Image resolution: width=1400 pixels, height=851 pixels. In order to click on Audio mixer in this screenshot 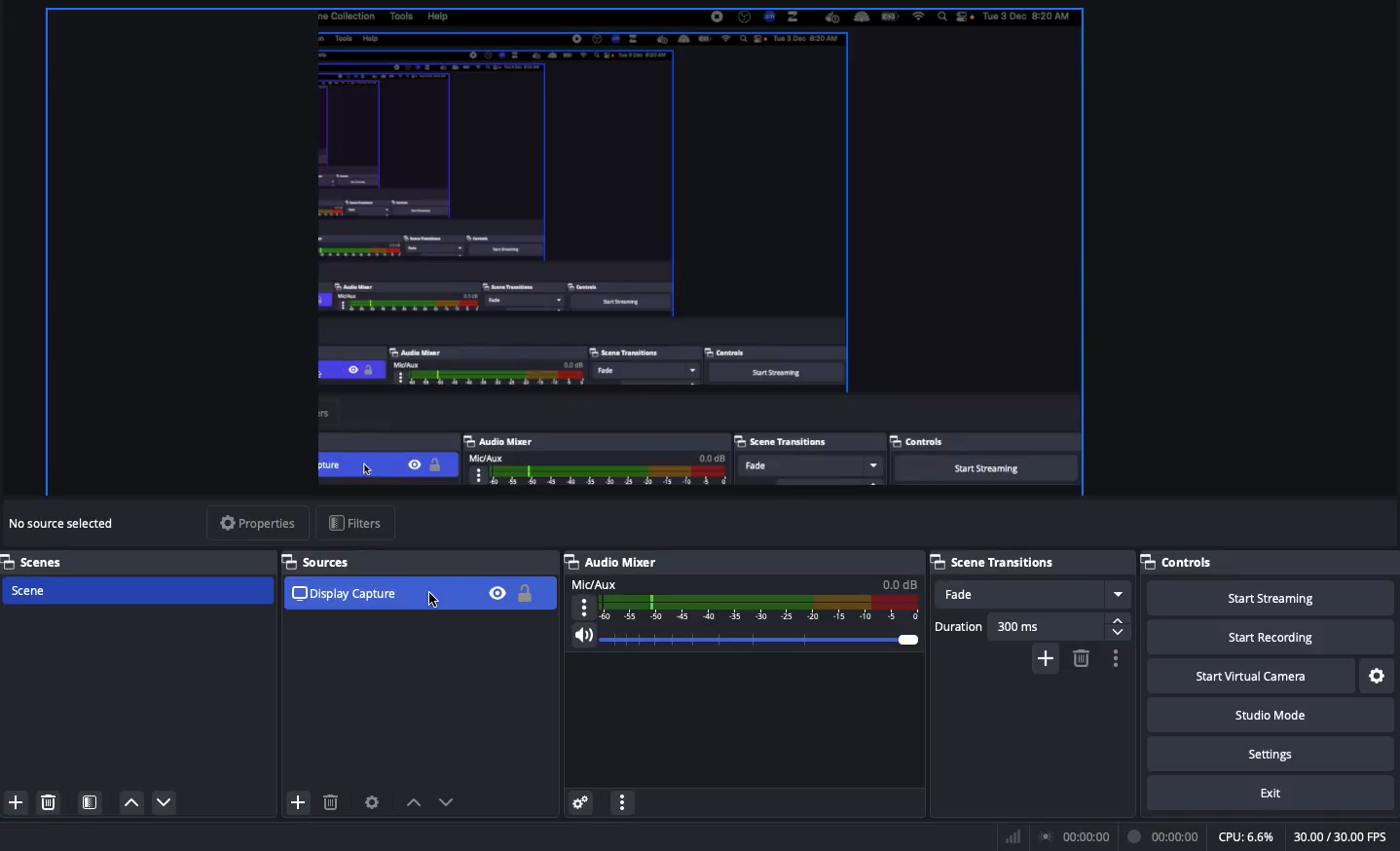, I will do `click(617, 562)`.